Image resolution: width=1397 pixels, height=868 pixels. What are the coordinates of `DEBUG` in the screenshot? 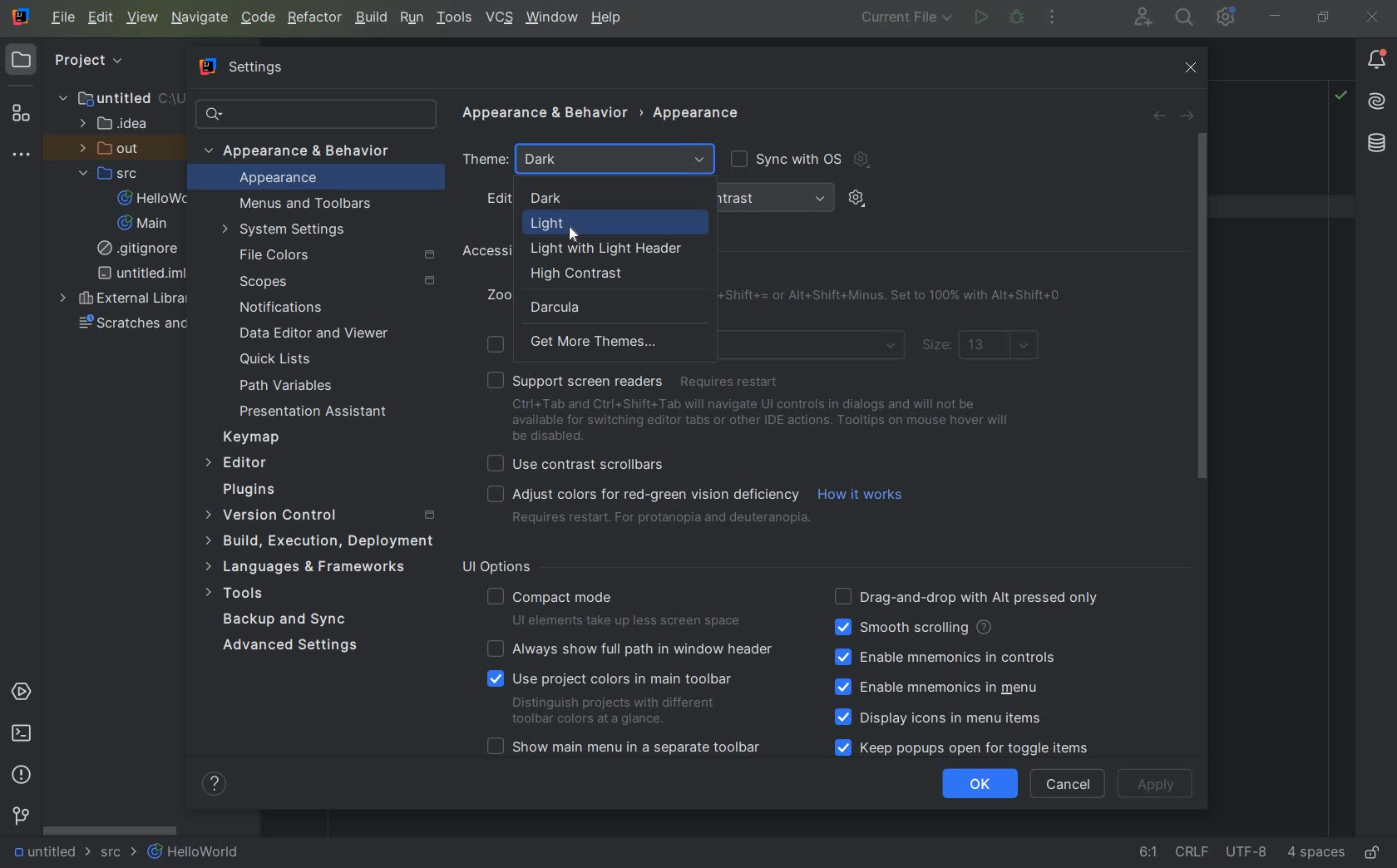 It's located at (1018, 17).